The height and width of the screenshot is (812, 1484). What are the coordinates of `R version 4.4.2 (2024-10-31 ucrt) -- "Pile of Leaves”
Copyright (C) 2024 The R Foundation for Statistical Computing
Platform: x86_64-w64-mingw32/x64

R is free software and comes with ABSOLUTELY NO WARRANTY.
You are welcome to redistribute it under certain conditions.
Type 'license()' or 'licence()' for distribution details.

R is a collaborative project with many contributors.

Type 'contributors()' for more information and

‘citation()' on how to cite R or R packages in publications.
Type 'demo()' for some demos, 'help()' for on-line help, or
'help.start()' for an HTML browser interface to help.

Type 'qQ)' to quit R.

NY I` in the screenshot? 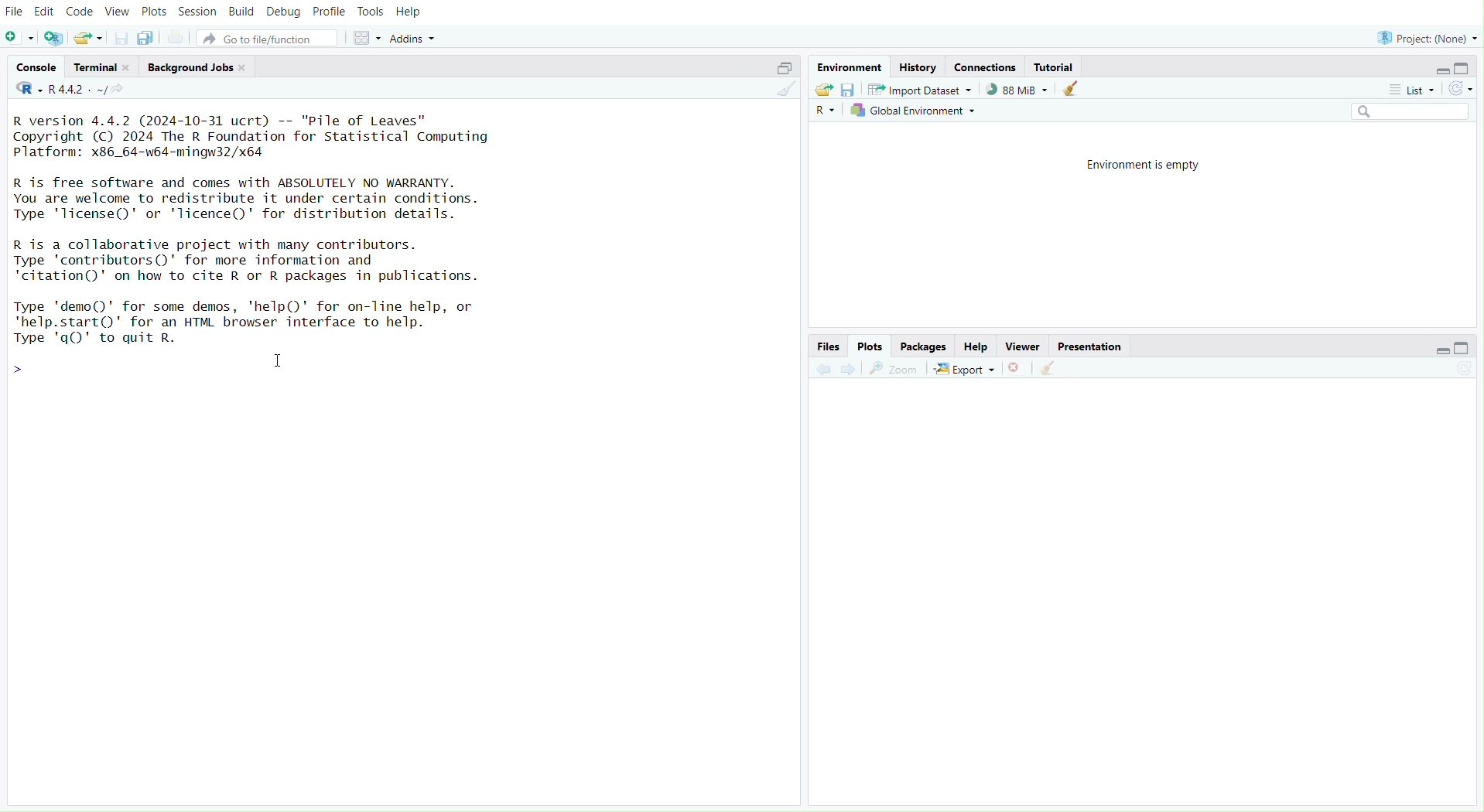 It's located at (274, 227).